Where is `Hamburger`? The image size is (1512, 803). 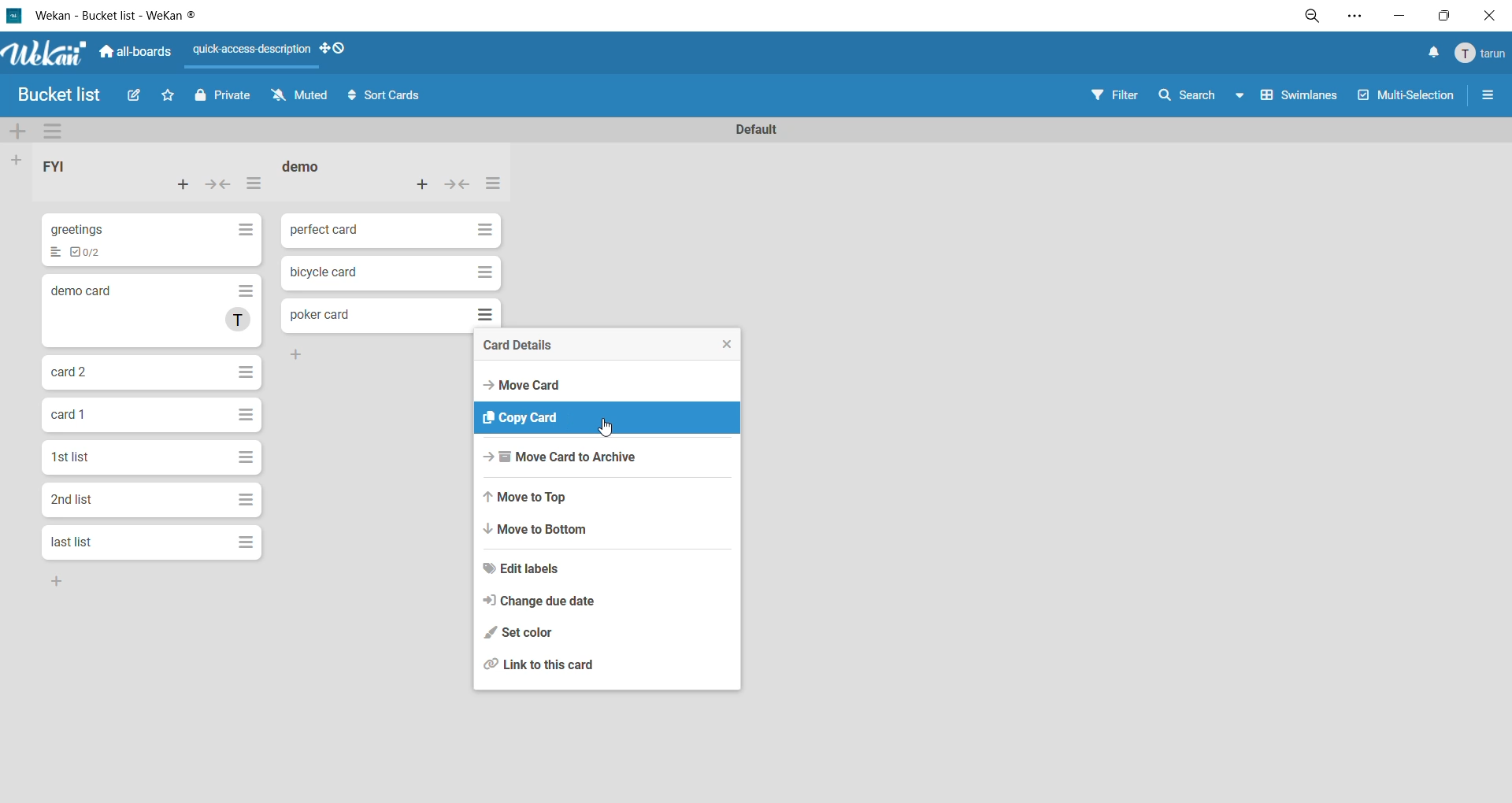
Hamburger is located at coordinates (250, 542).